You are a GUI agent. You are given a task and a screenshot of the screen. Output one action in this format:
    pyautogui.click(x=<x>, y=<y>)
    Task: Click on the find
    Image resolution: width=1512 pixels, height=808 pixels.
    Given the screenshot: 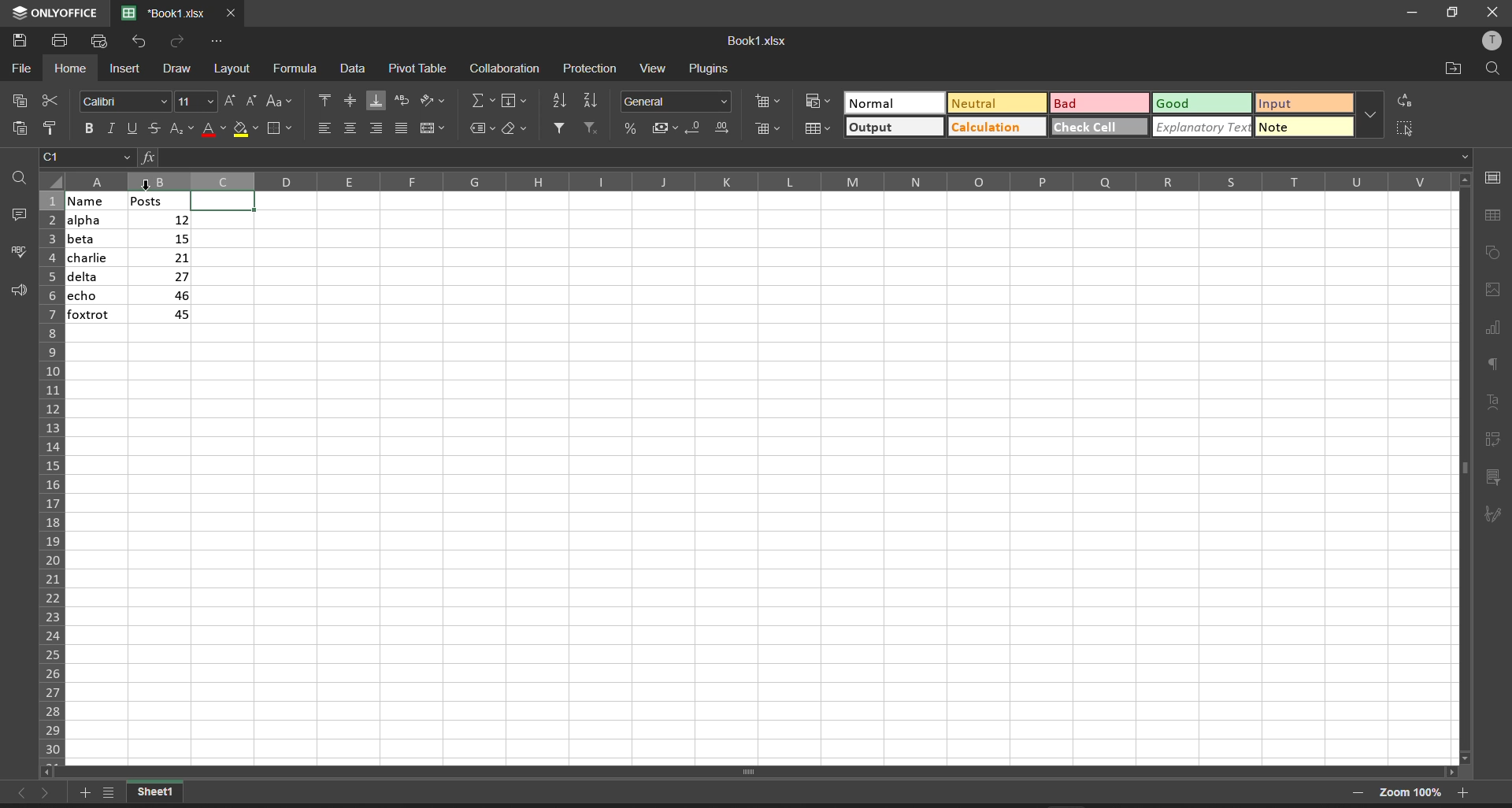 What is the action you would take?
    pyautogui.click(x=1494, y=68)
    